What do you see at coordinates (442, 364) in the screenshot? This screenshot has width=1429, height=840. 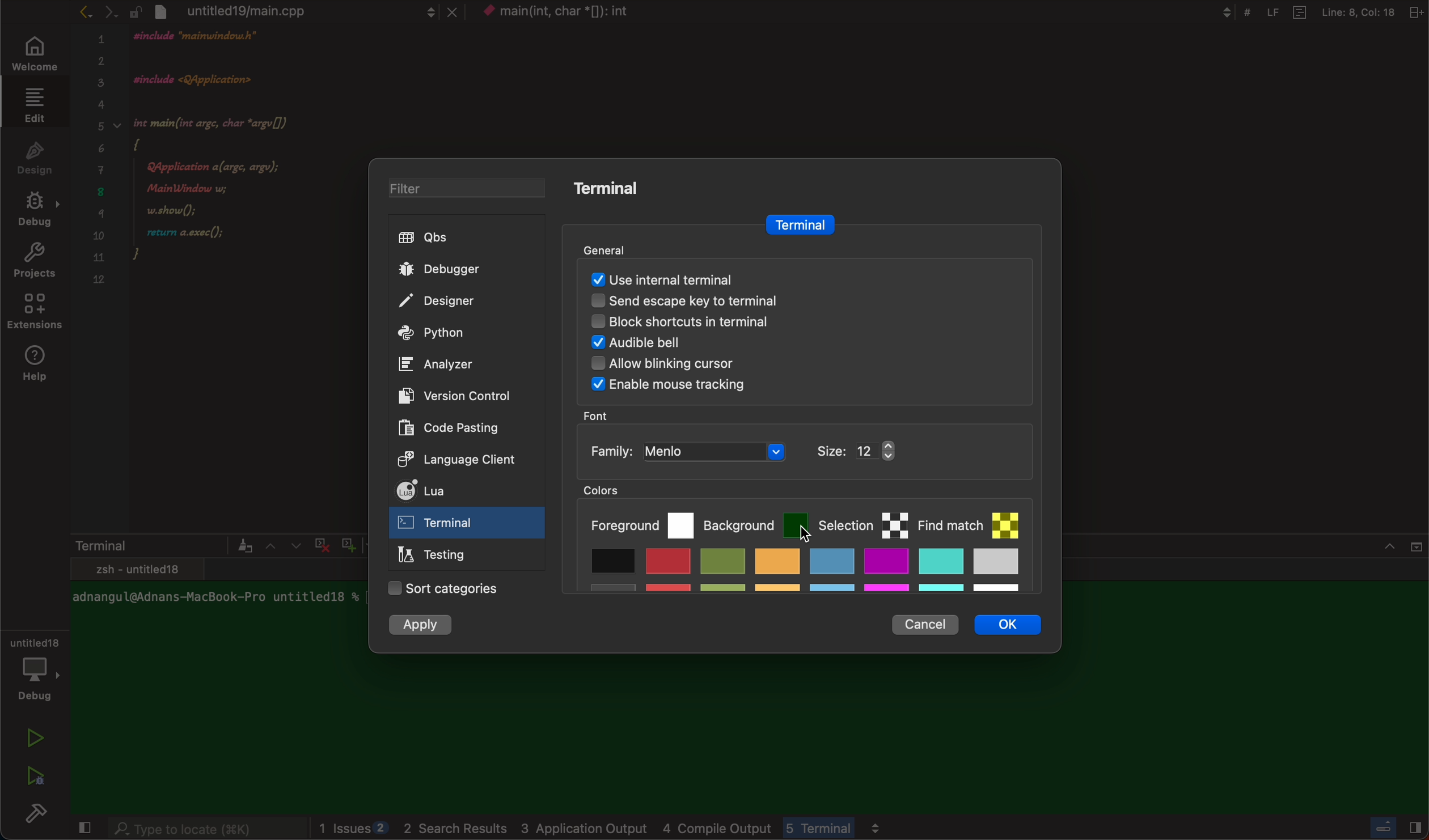 I see `analyzer` at bounding box center [442, 364].